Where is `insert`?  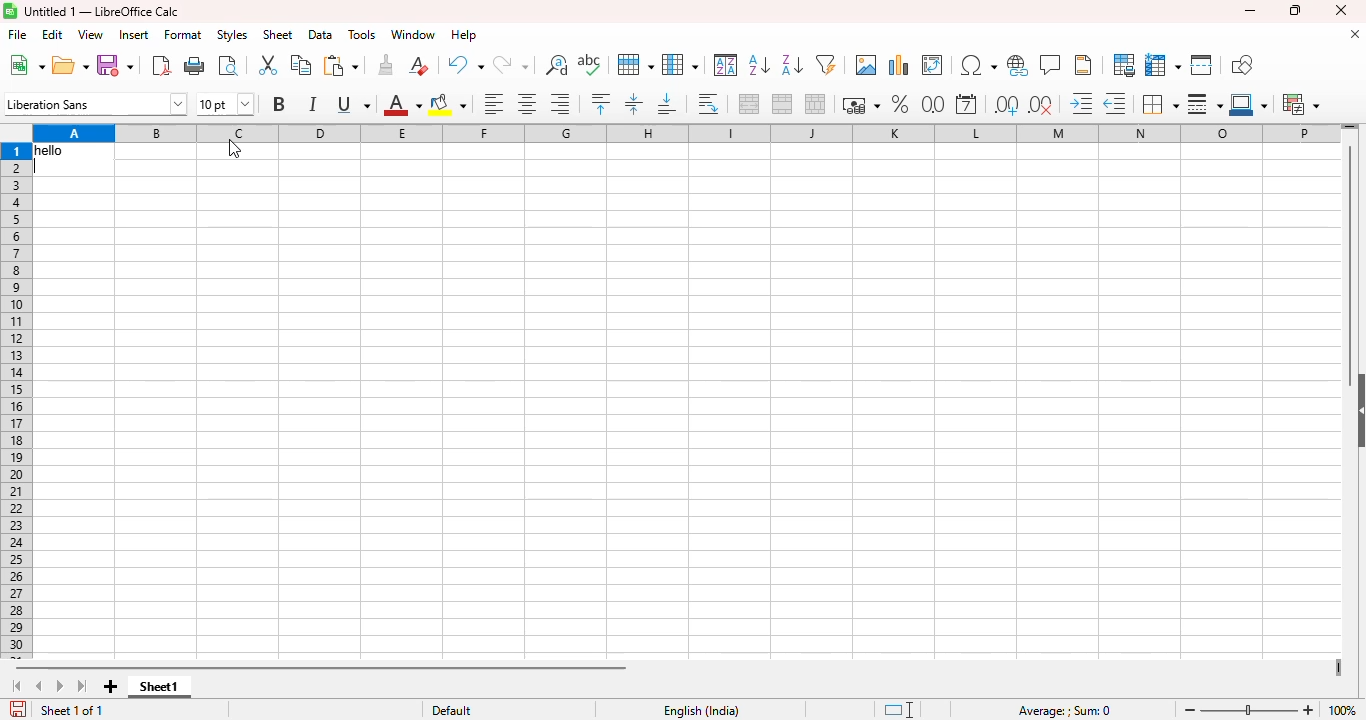 insert is located at coordinates (134, 34).